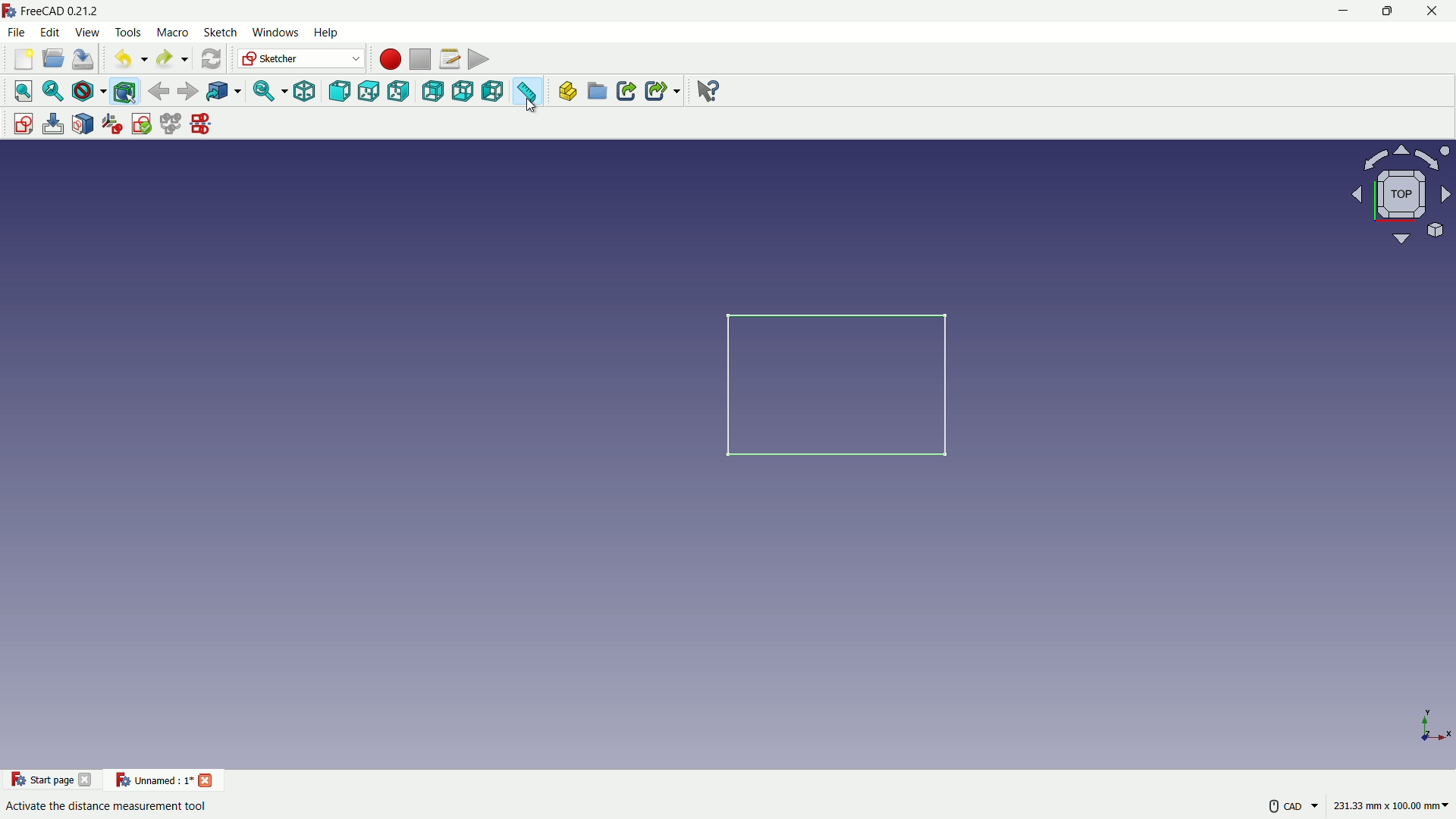 The width and height of the screenshot is (1456, 819). I want to click on back view, so click(432, 91).